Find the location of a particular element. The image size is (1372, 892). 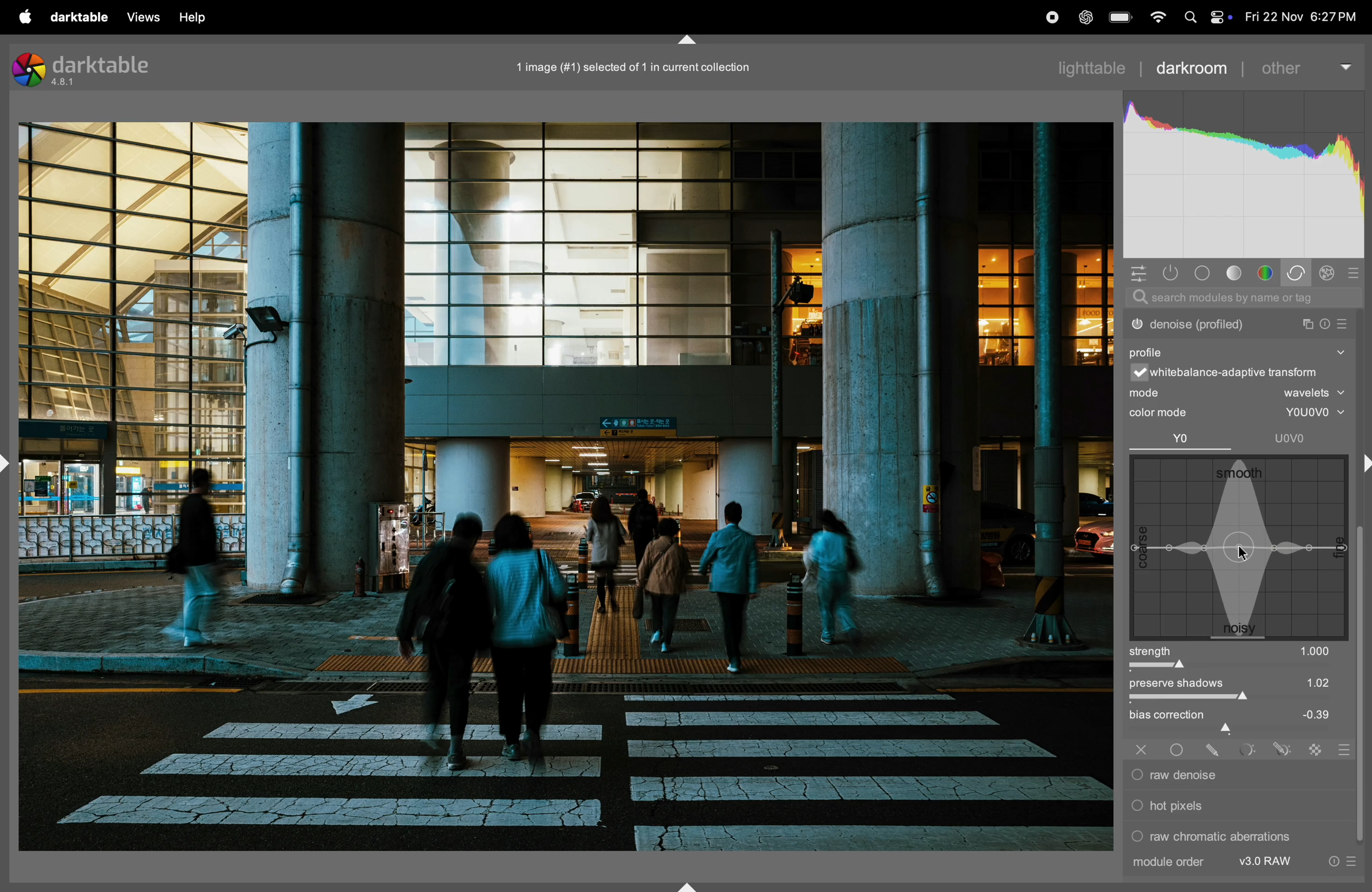

blending options is located at coordinates (1343, 749).